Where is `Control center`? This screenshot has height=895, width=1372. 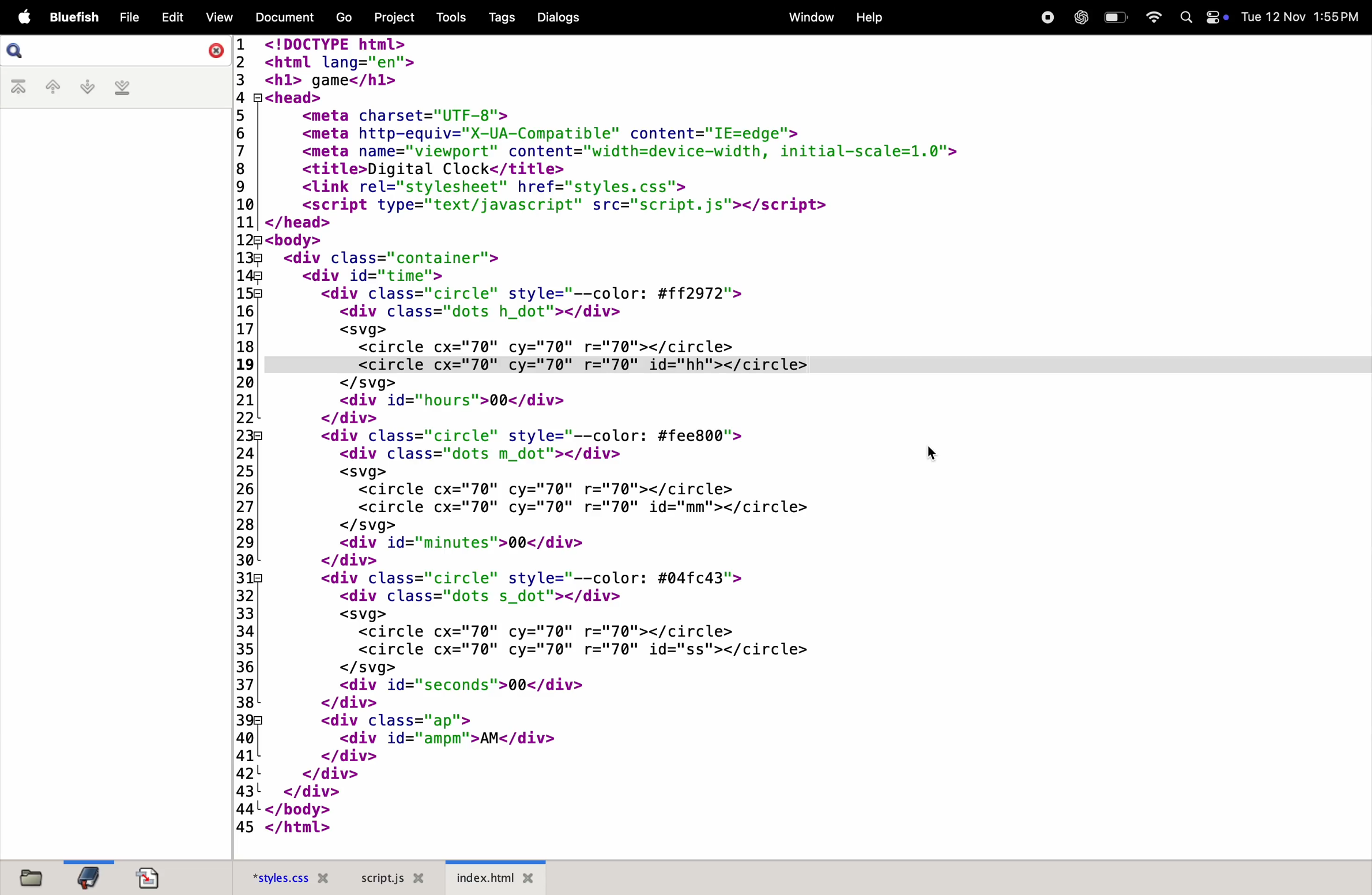
Control center is located at coordinates (1216, 20).